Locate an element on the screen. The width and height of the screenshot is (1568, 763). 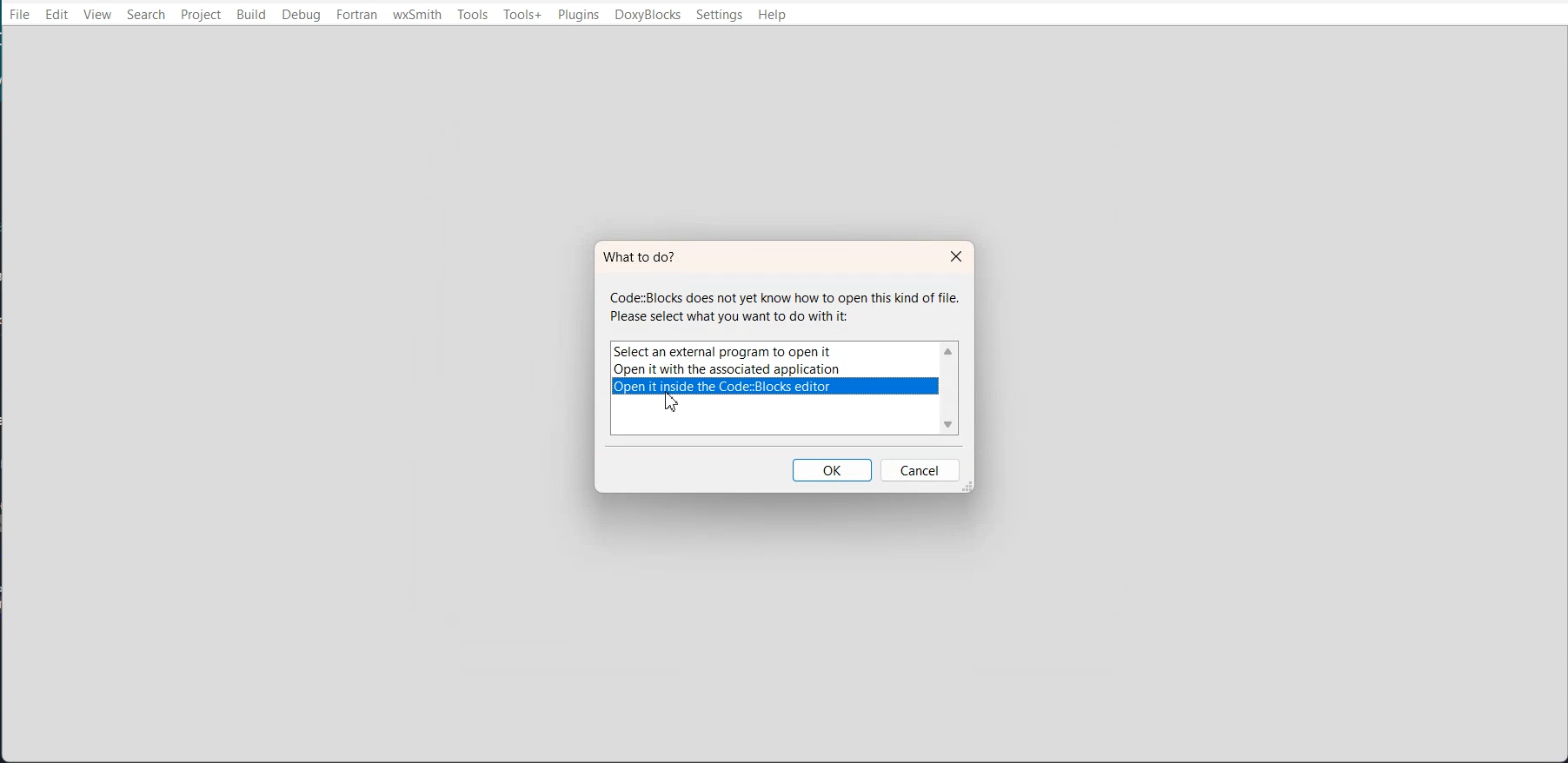
Tools is located at coordinates (473, 15).